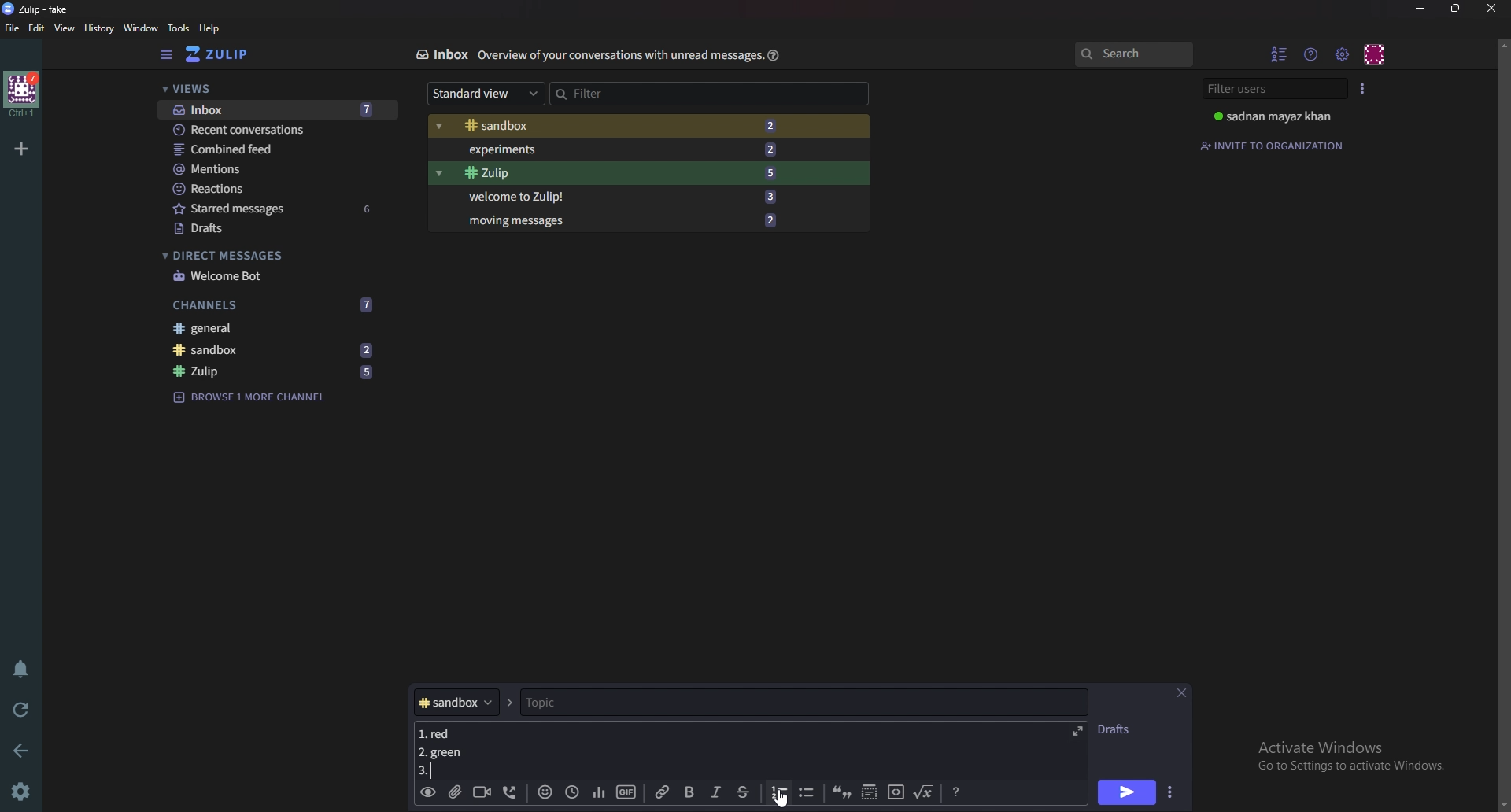 This screenshot has width=1511, height=812. Describe the element at coordinates (276, 303) in the screenshot. I see `Channels` at that location.